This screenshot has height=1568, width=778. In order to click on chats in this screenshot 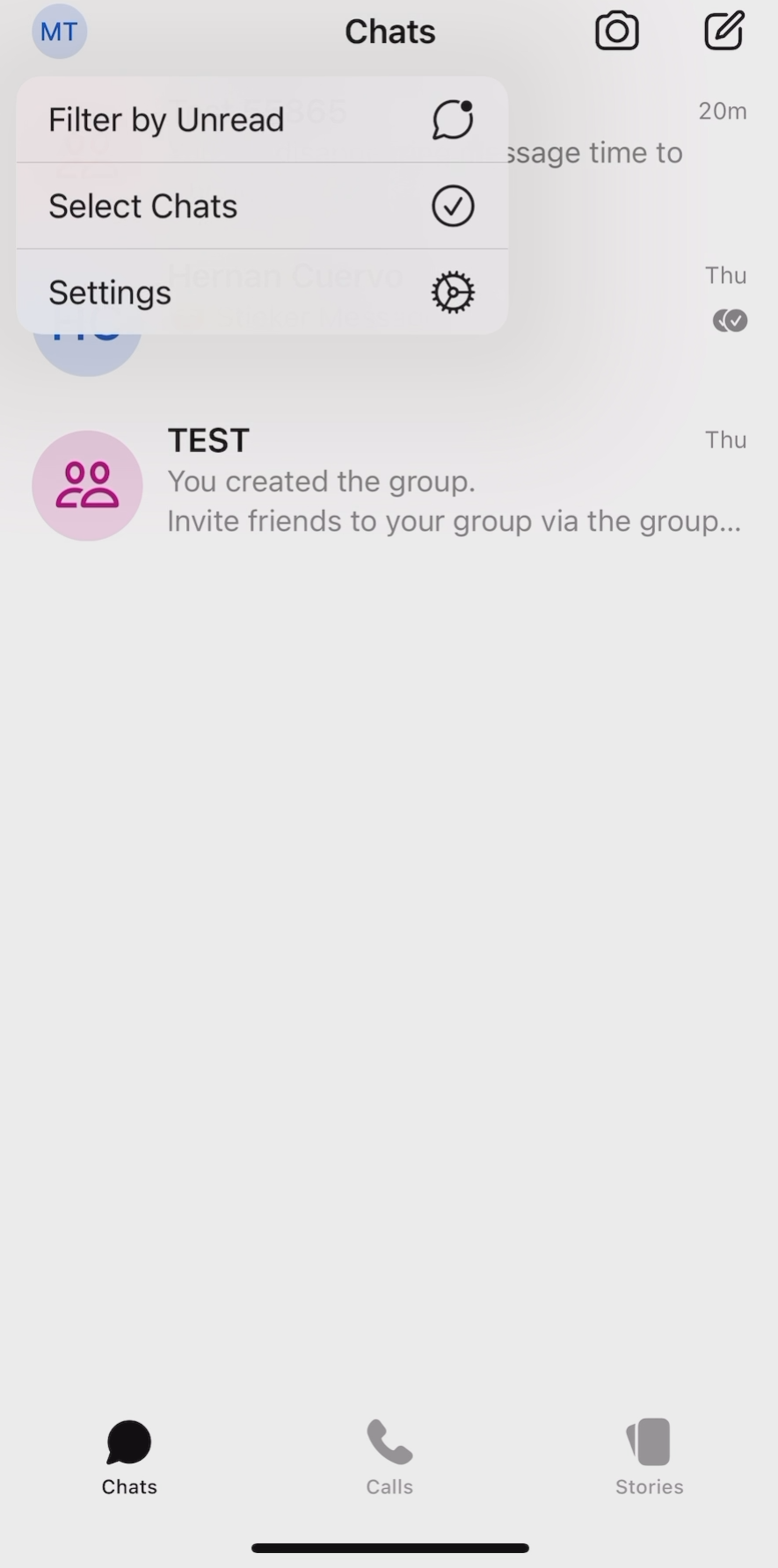, I will do `click(130, 1455)`.